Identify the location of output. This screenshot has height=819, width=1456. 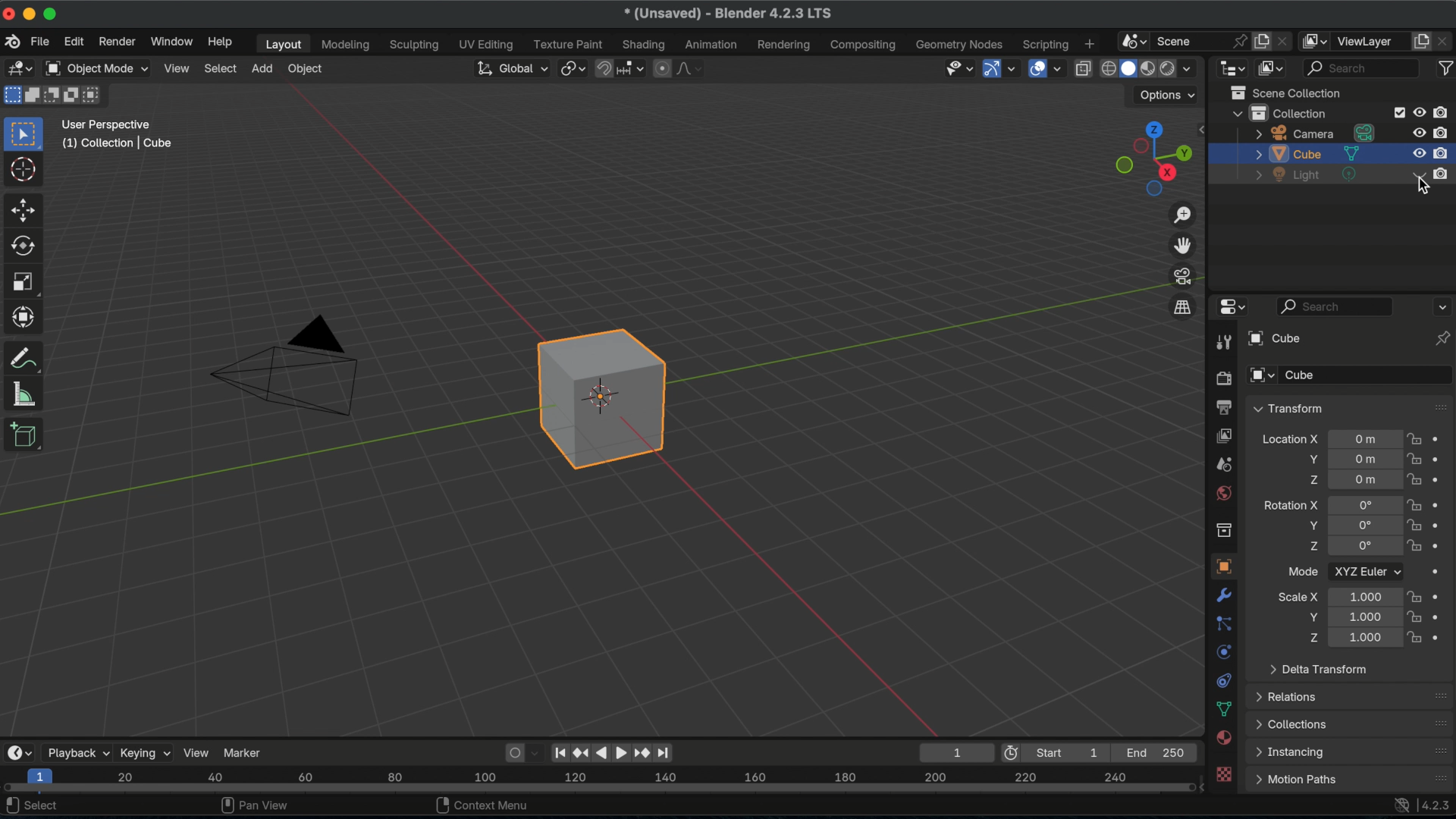
(1222, 463).